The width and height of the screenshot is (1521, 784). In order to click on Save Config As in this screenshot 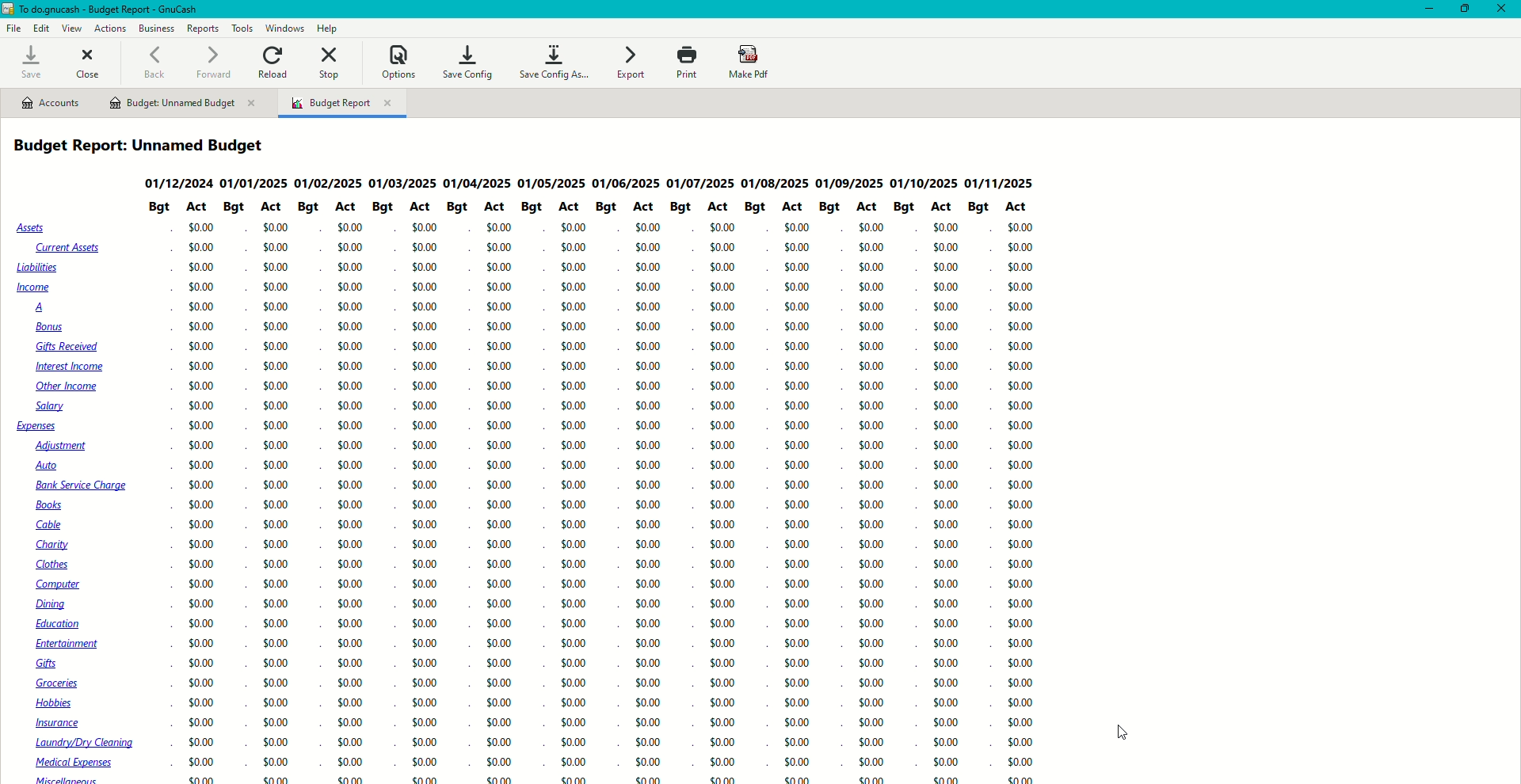, I will do `click(556, 63)`.